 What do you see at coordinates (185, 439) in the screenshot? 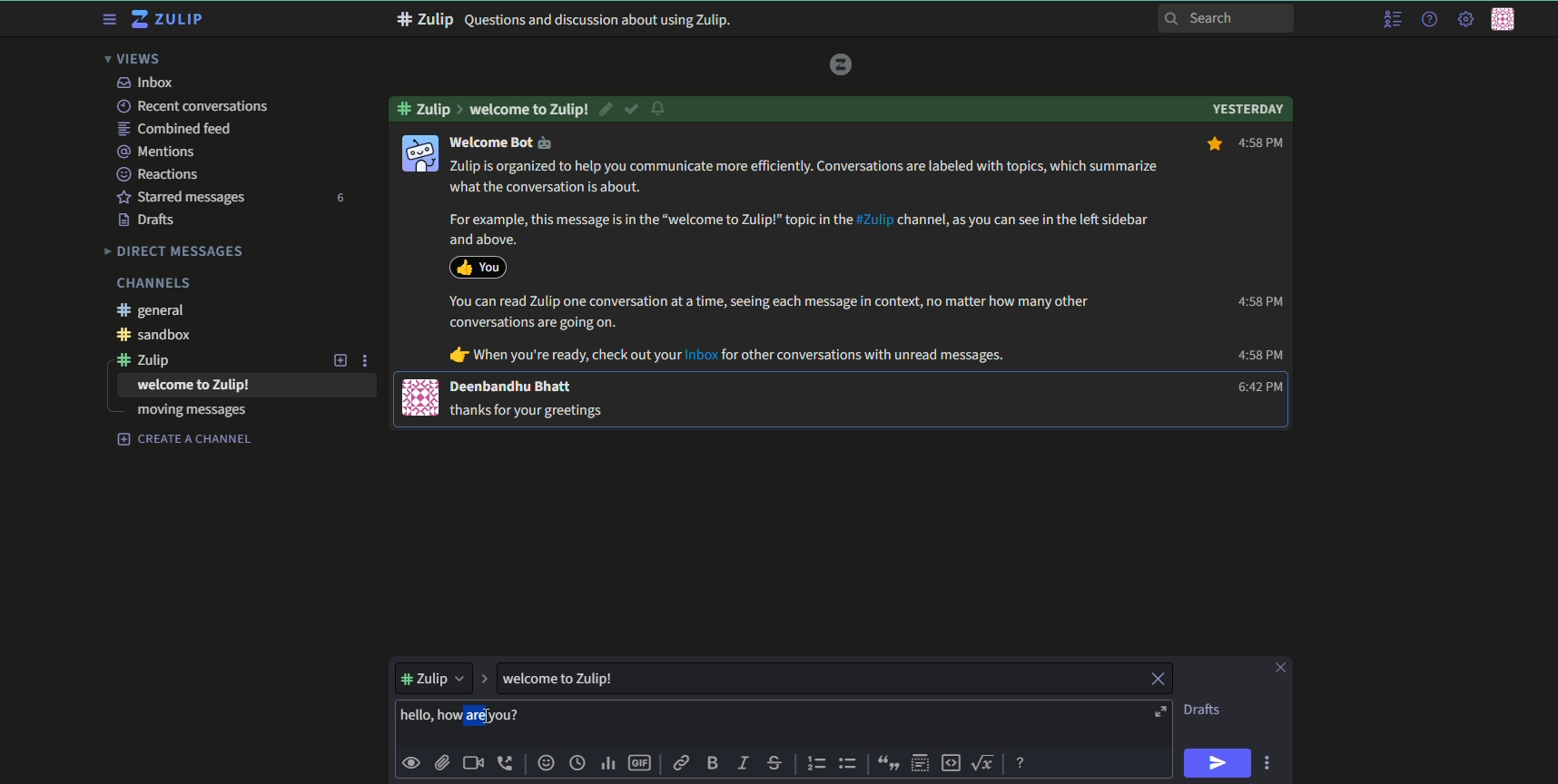
I see `create a channel` at bounding box center [185, 439].